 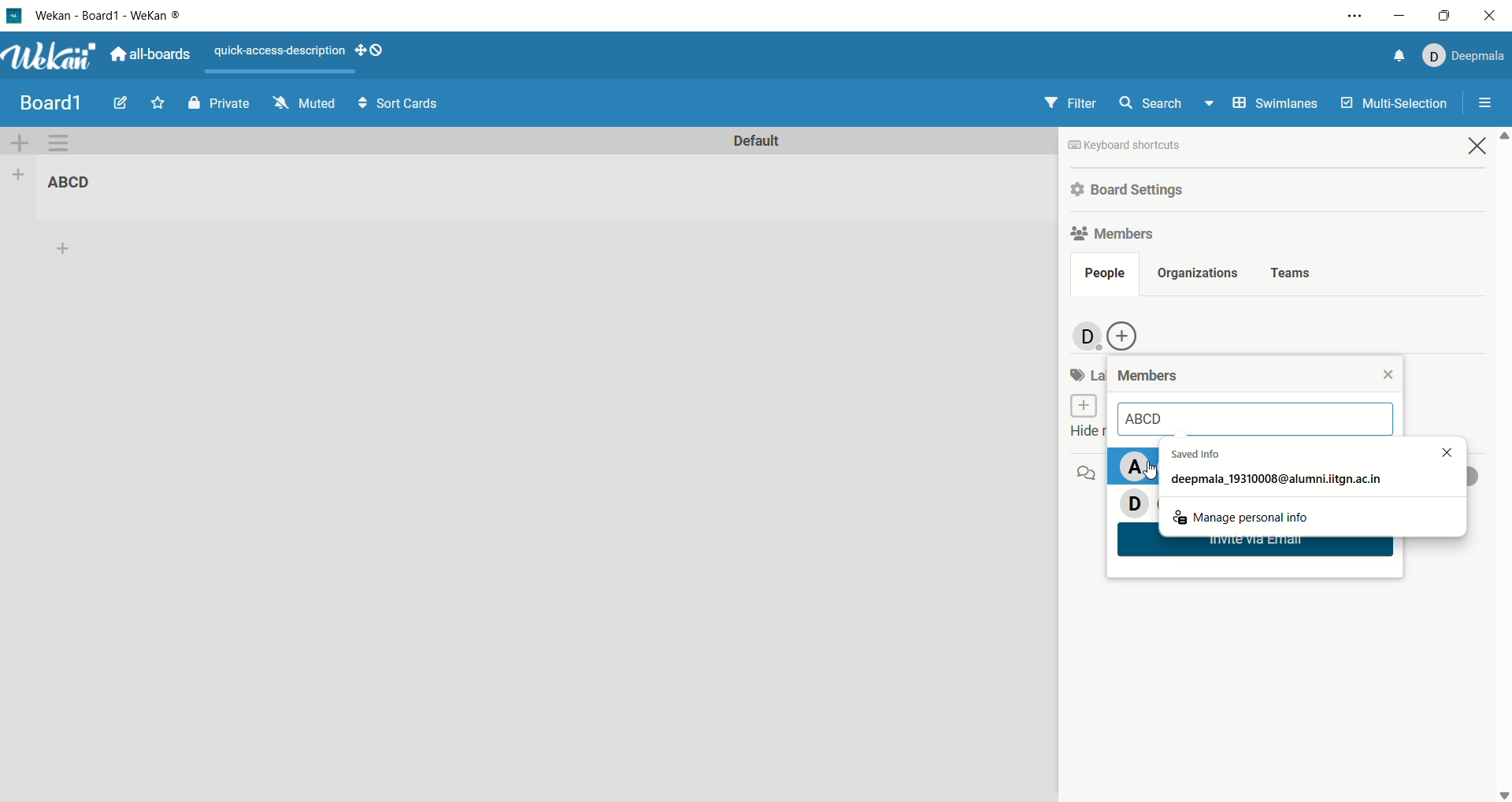 I want to click on default, so click(x=755, y=142).